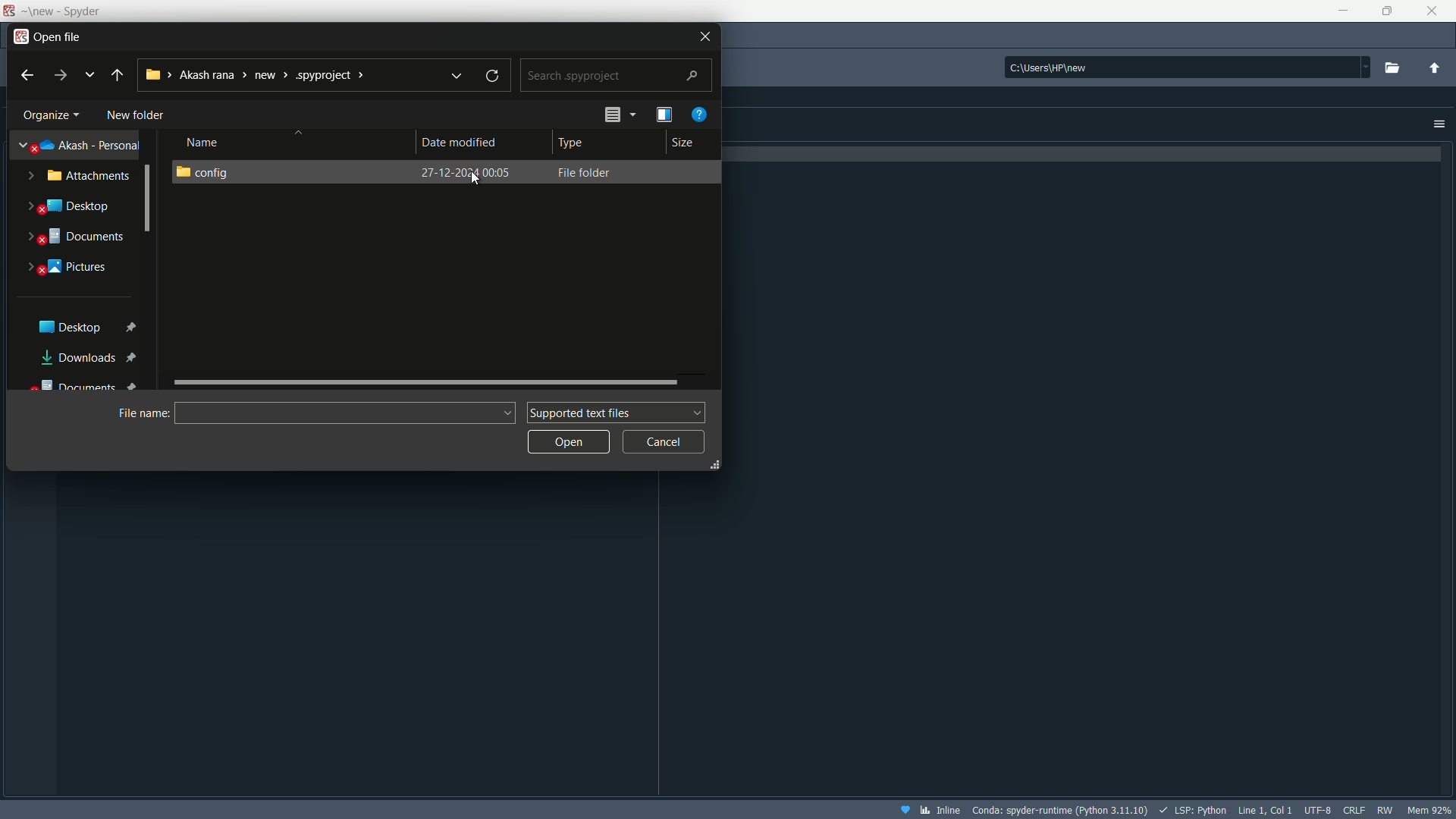 The image size is (1456, 819). I want to click on current directory, so click(288, 74).